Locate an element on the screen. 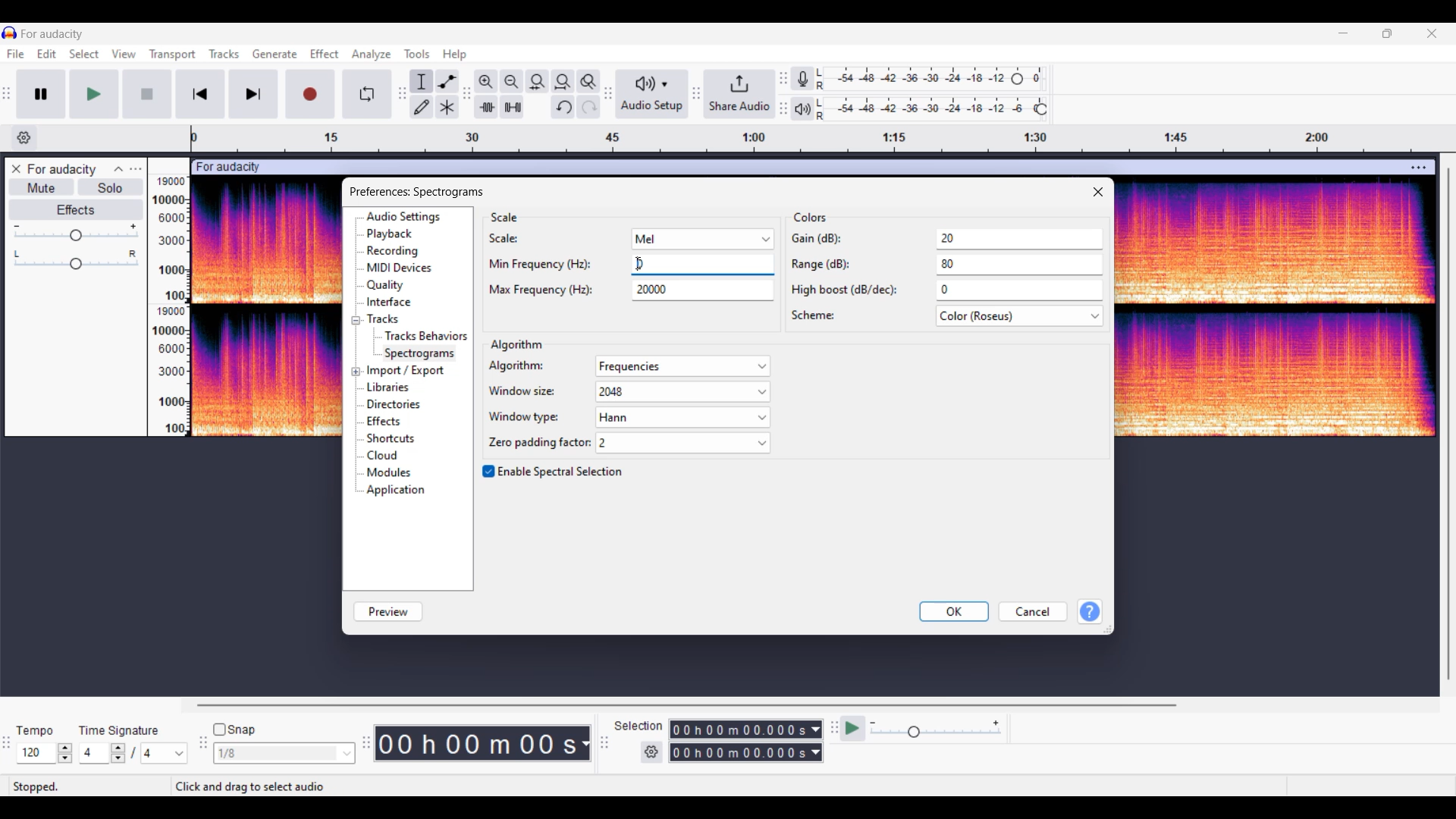 The image size is (1456, 819). Draw tool is located at coordinates (422, 107).